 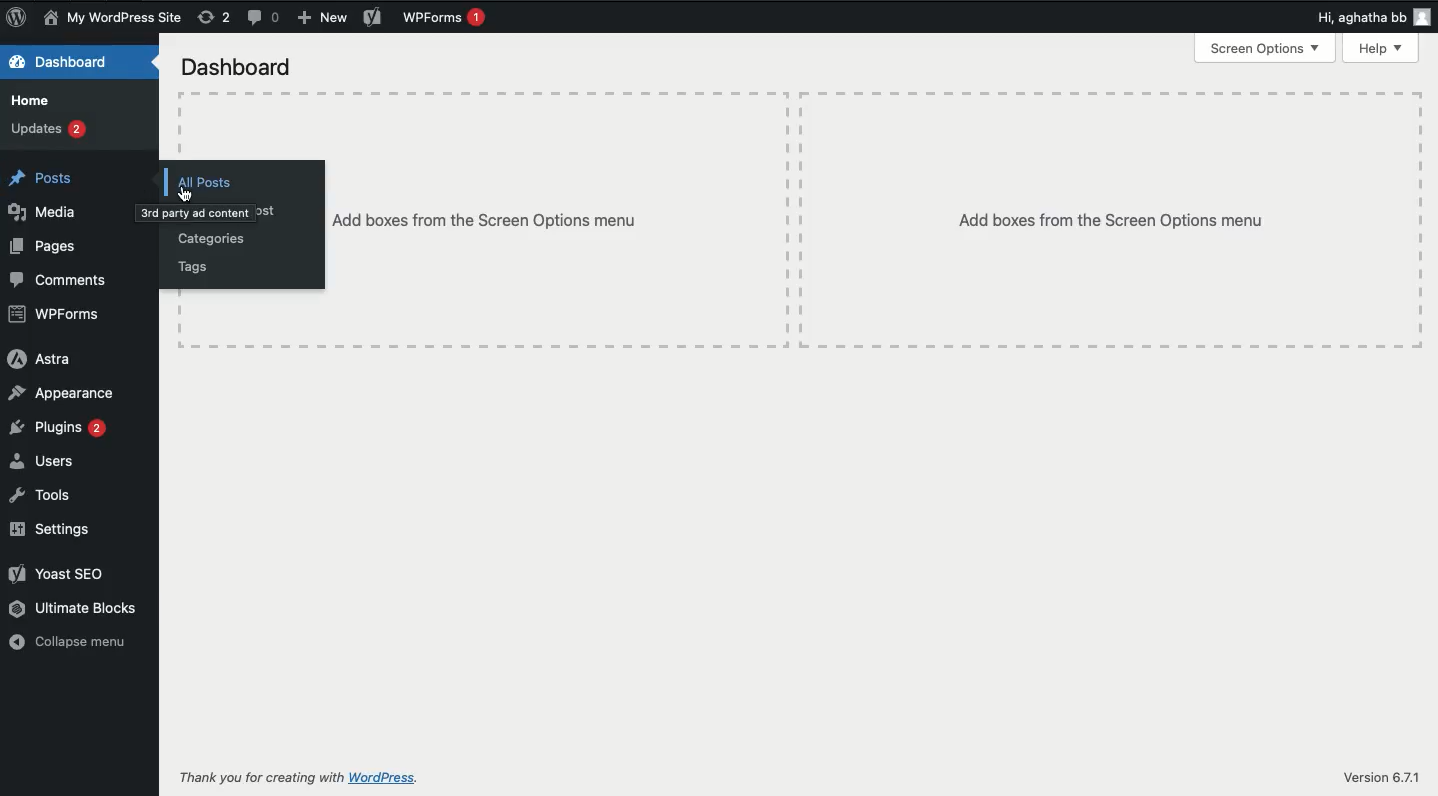 I want to click on Hi user, so click(x=1373, y=17).